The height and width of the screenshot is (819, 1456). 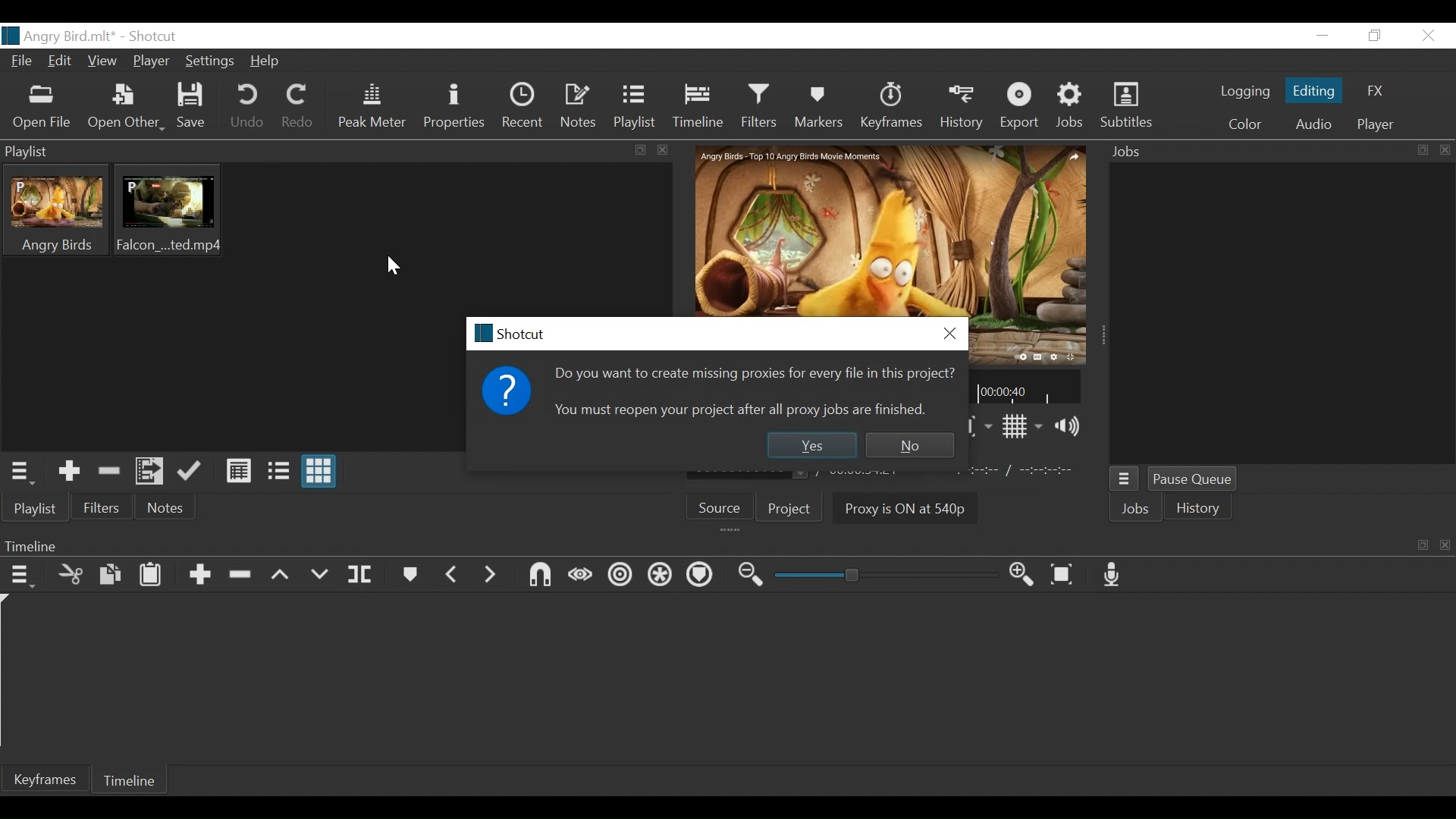 What do you see at coordinates (700, 576) in the screenshot?
I see `Ripple Marker` at bounding box center [700, 576].